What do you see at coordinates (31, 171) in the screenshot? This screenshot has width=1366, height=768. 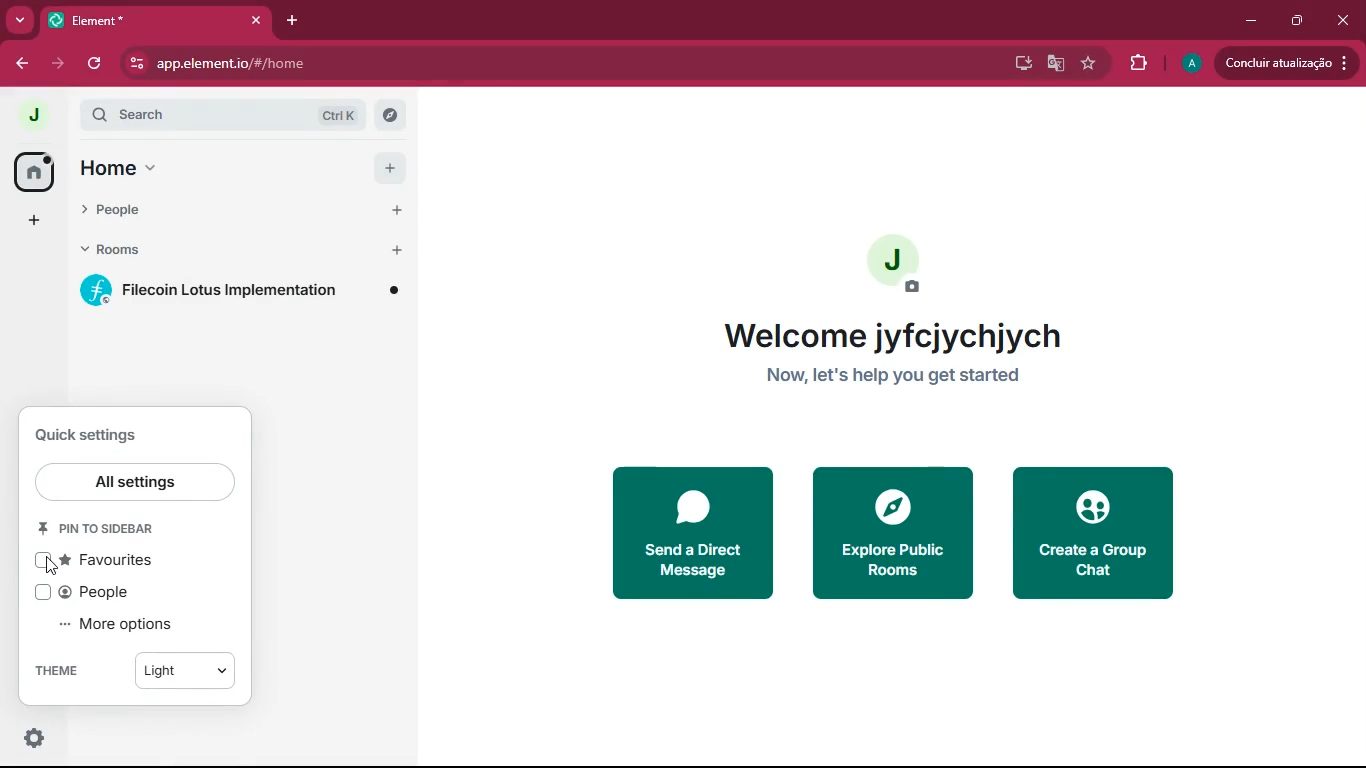 I see `home` at bounding box center [31, 171].